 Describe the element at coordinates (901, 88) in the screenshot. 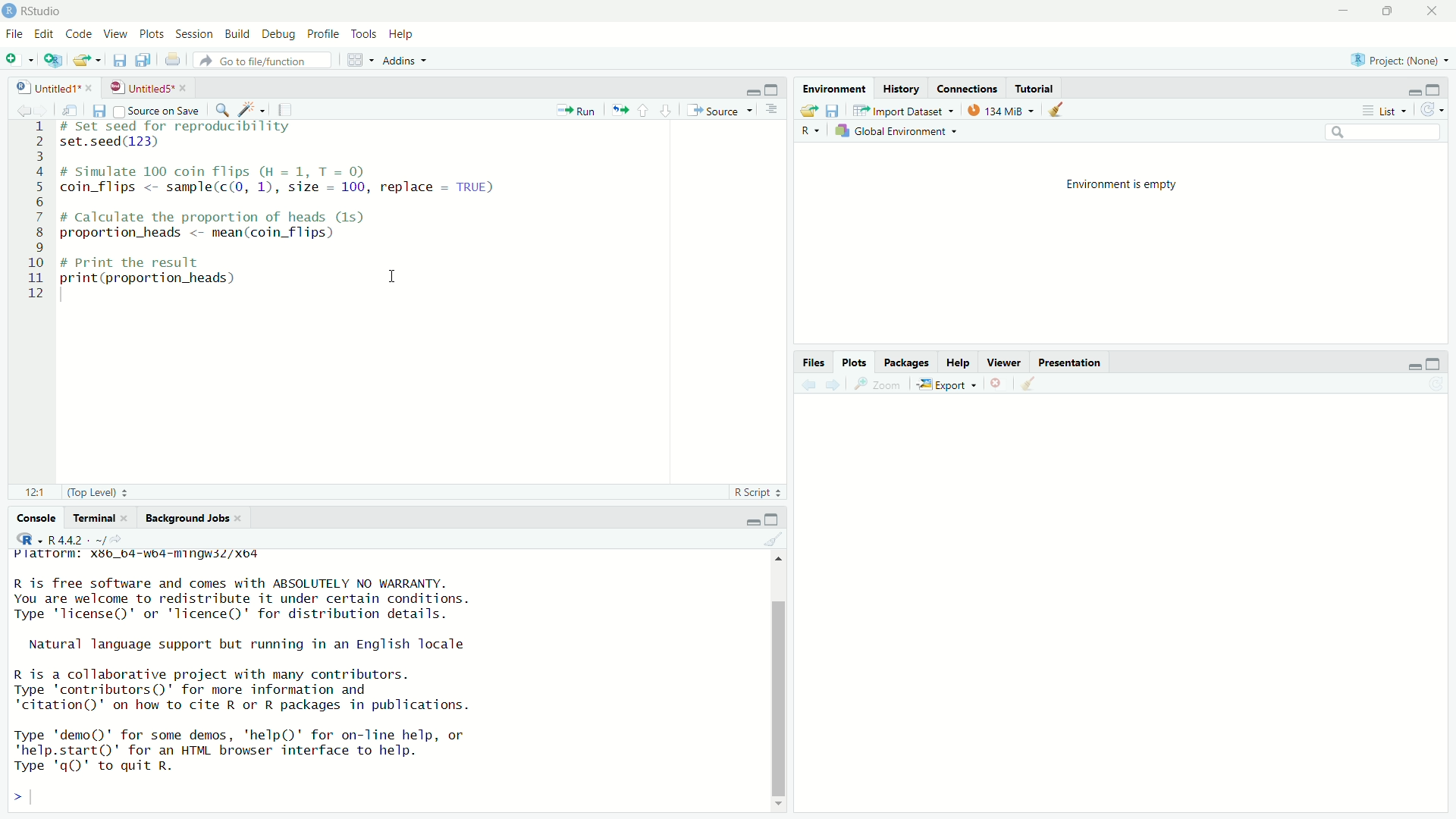

I see `History` at that location.